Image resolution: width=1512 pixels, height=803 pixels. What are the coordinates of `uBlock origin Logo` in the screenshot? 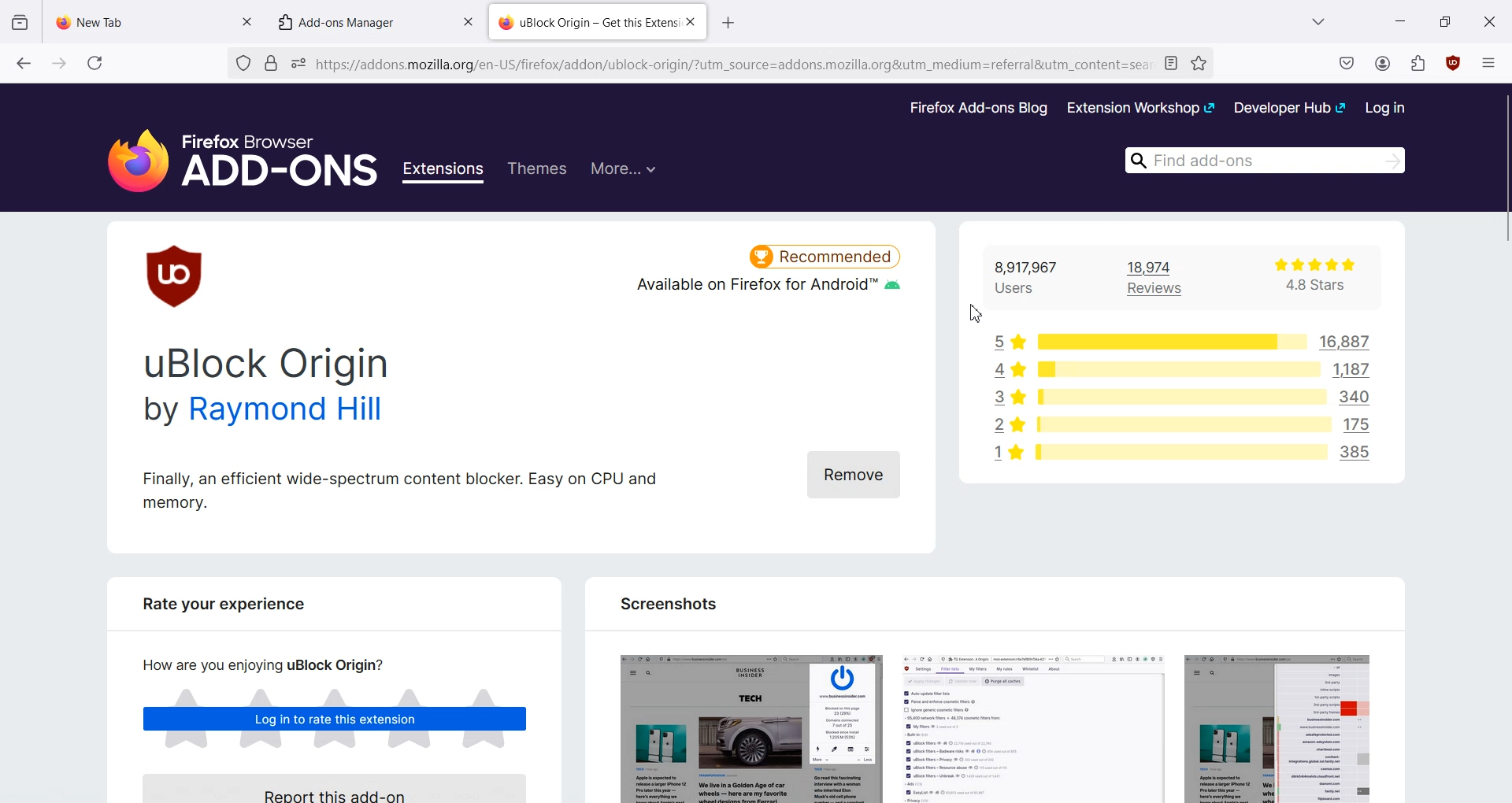 It's located at (176, 276).